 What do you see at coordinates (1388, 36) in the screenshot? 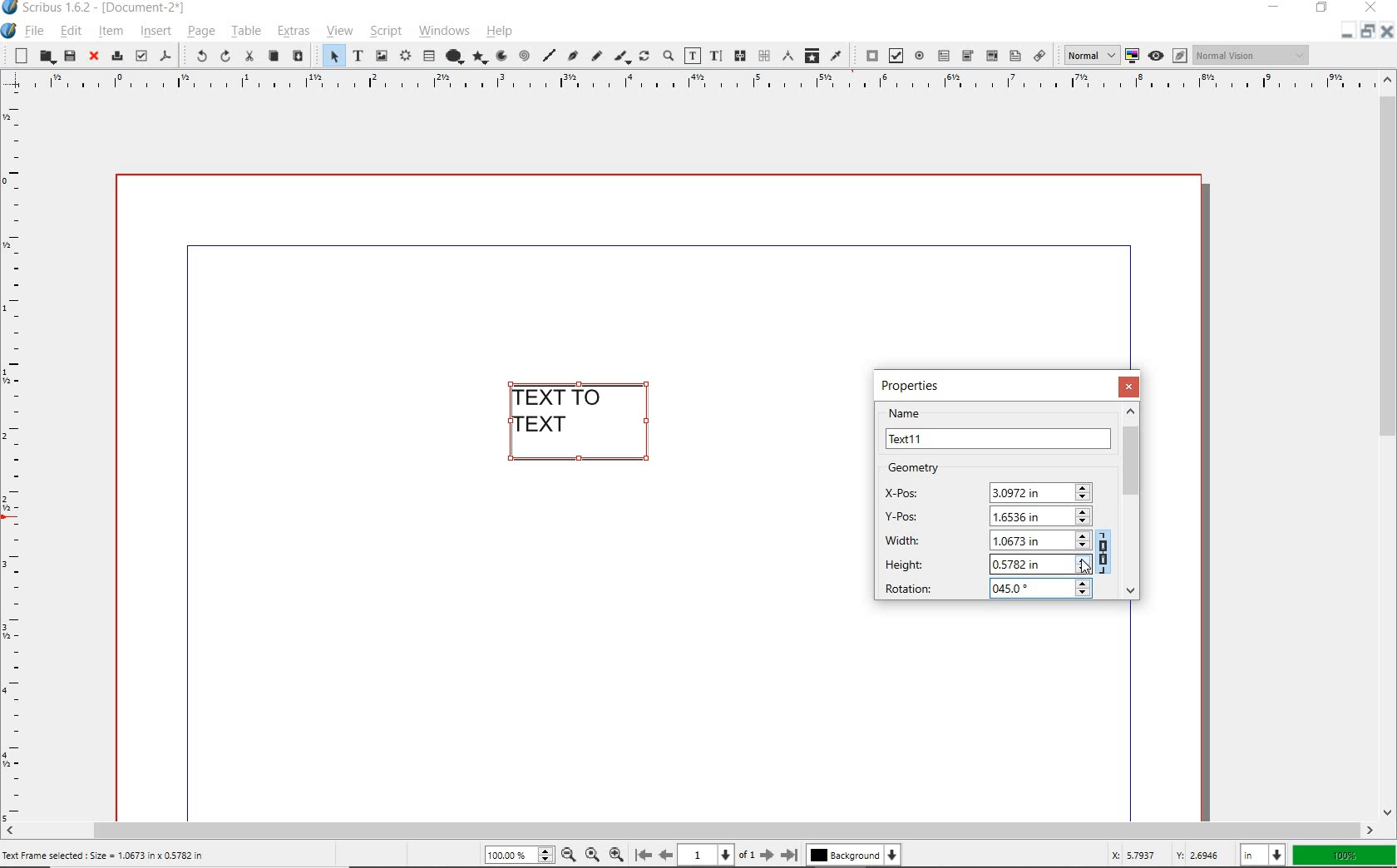
I see `close` at bounding box center [1388, 36].